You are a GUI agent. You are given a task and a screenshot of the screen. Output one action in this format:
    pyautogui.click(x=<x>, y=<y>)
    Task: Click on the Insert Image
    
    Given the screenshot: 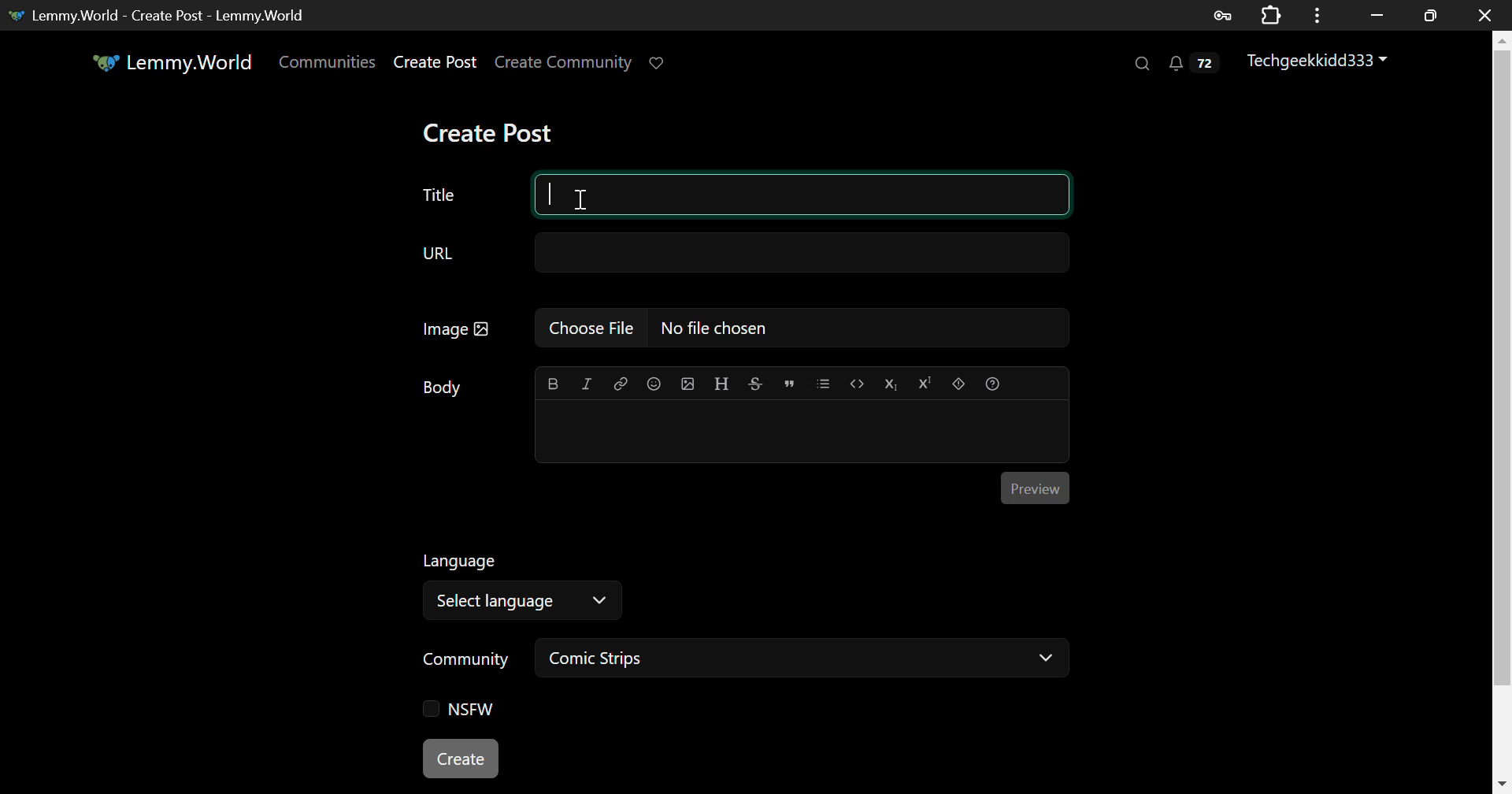 What is the action you would take?
    pyautogui.click(x=687, y=384)
    